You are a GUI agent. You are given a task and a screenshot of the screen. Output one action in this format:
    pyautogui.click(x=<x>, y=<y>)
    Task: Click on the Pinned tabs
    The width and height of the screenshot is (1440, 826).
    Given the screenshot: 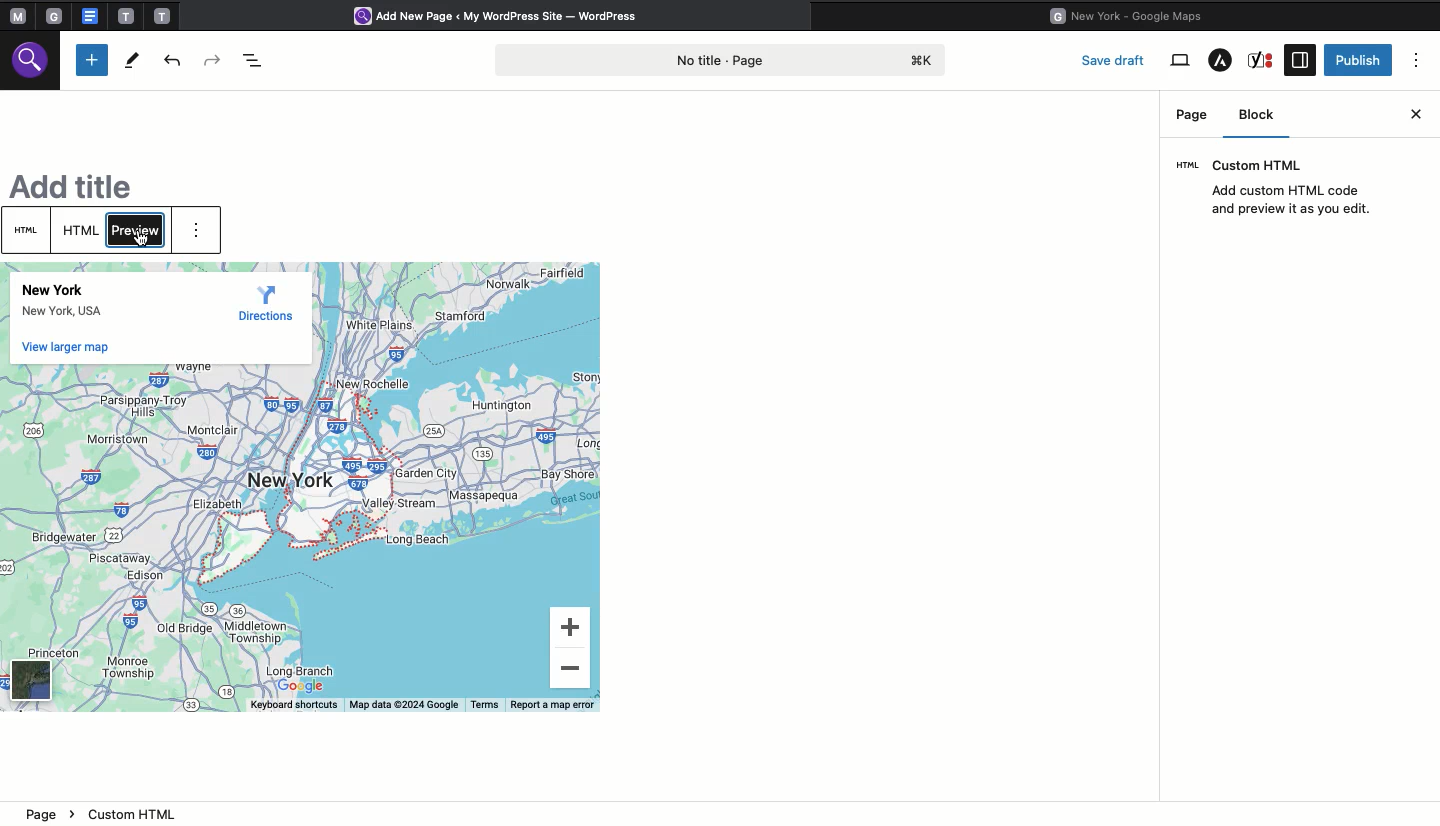 What is the action you would take?
    pyautogui.click(x=15, y=17)
    